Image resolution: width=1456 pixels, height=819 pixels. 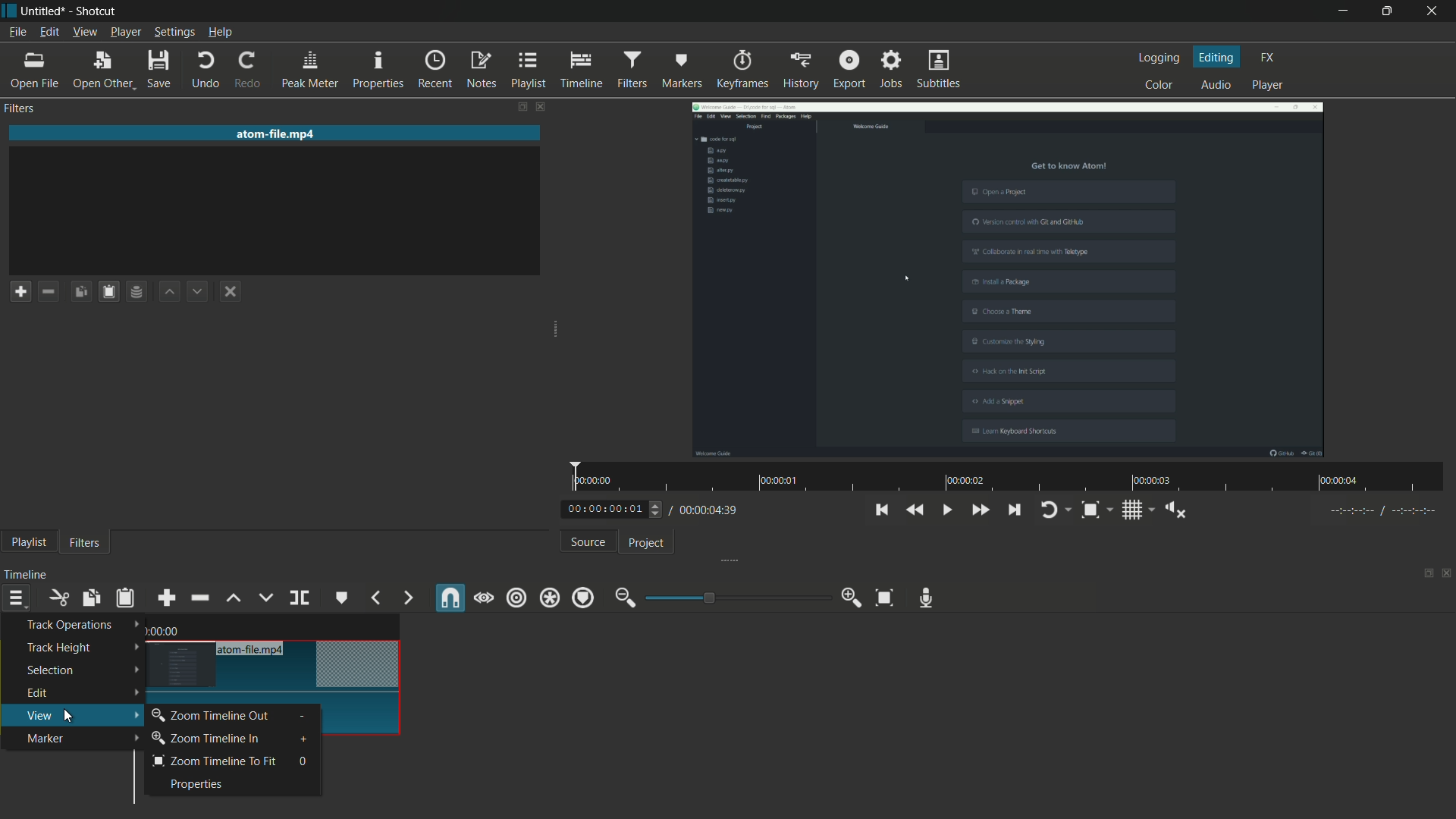 I want to click on peak meter, so click(x=309, y=69).